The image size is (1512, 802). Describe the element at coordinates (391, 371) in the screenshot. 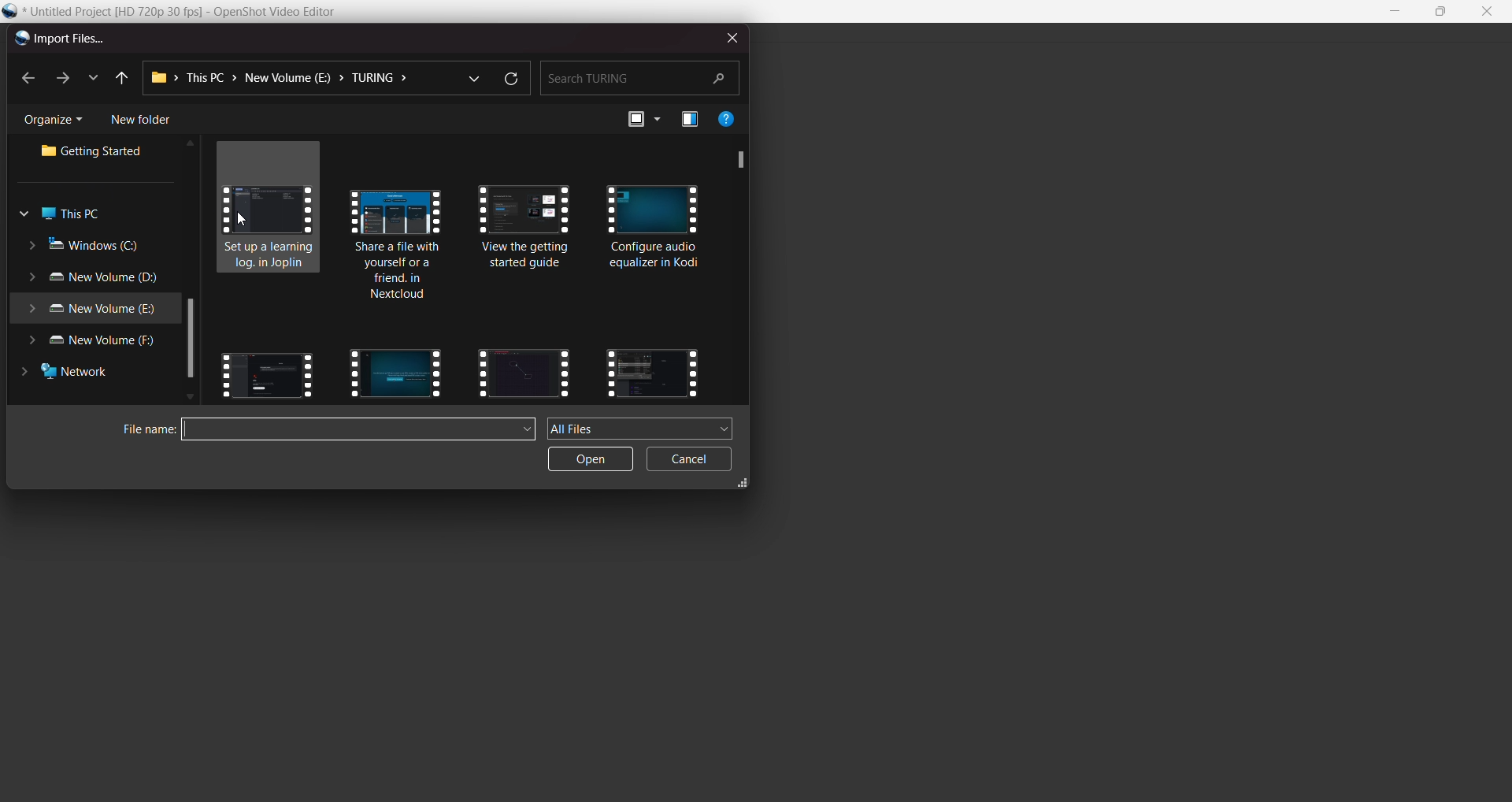

I see `videos` at that location.